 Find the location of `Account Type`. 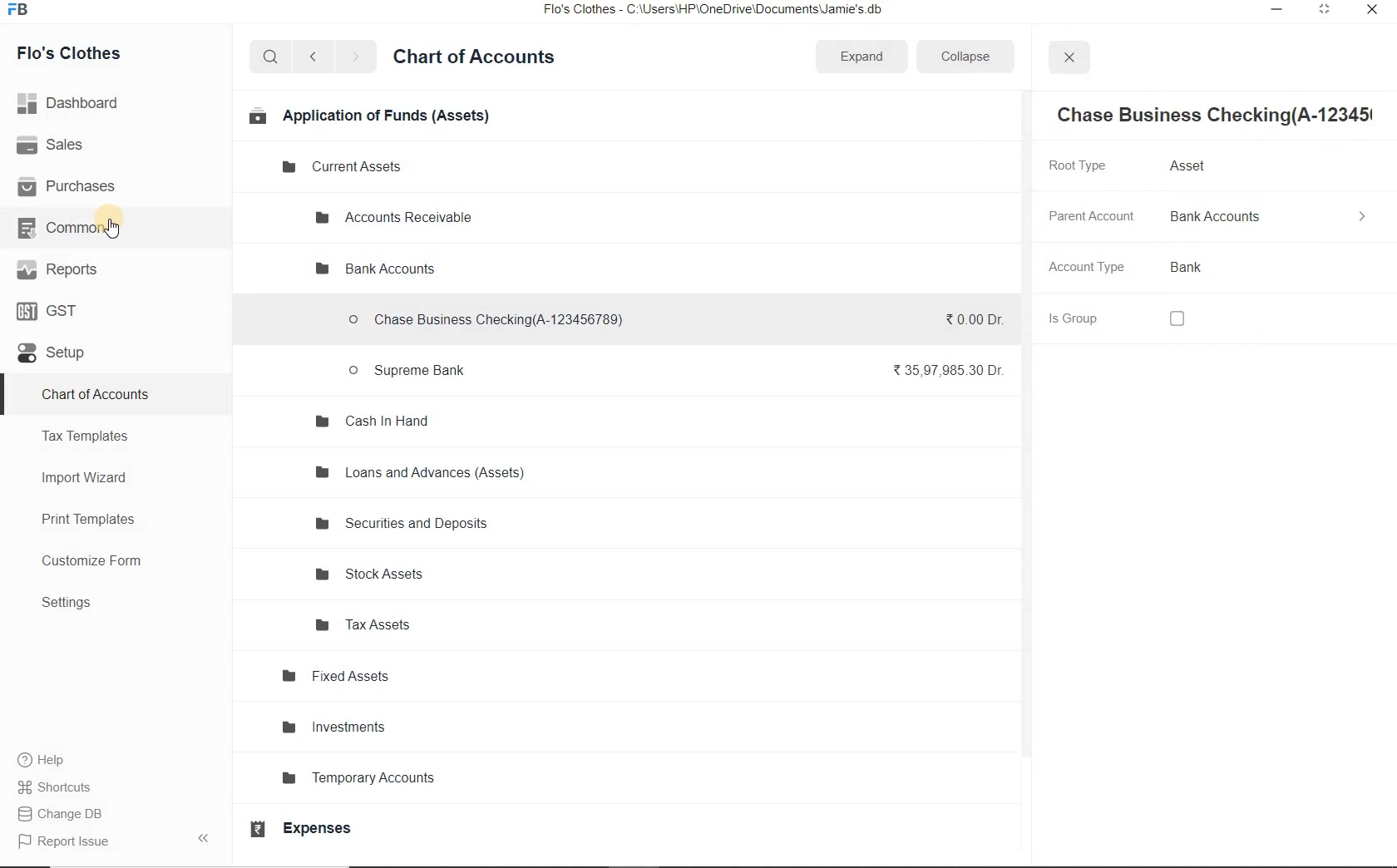

Account Type is located at coordinates (1084, 266).